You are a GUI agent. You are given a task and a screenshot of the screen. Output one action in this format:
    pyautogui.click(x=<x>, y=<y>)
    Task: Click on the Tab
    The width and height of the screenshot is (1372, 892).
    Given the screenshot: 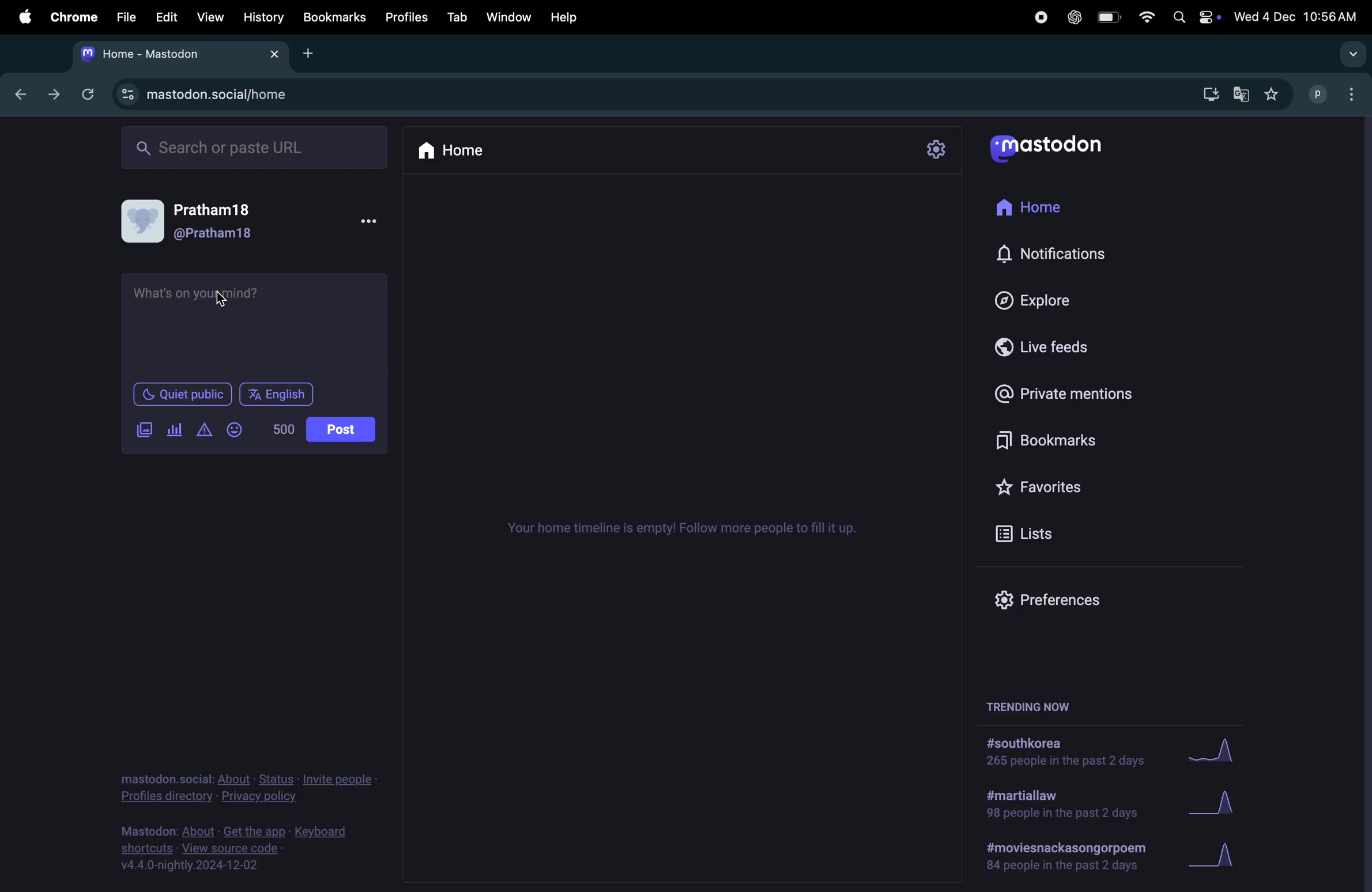 What is the action you would take?
    pyautogui.click(x=457, y=17)
    